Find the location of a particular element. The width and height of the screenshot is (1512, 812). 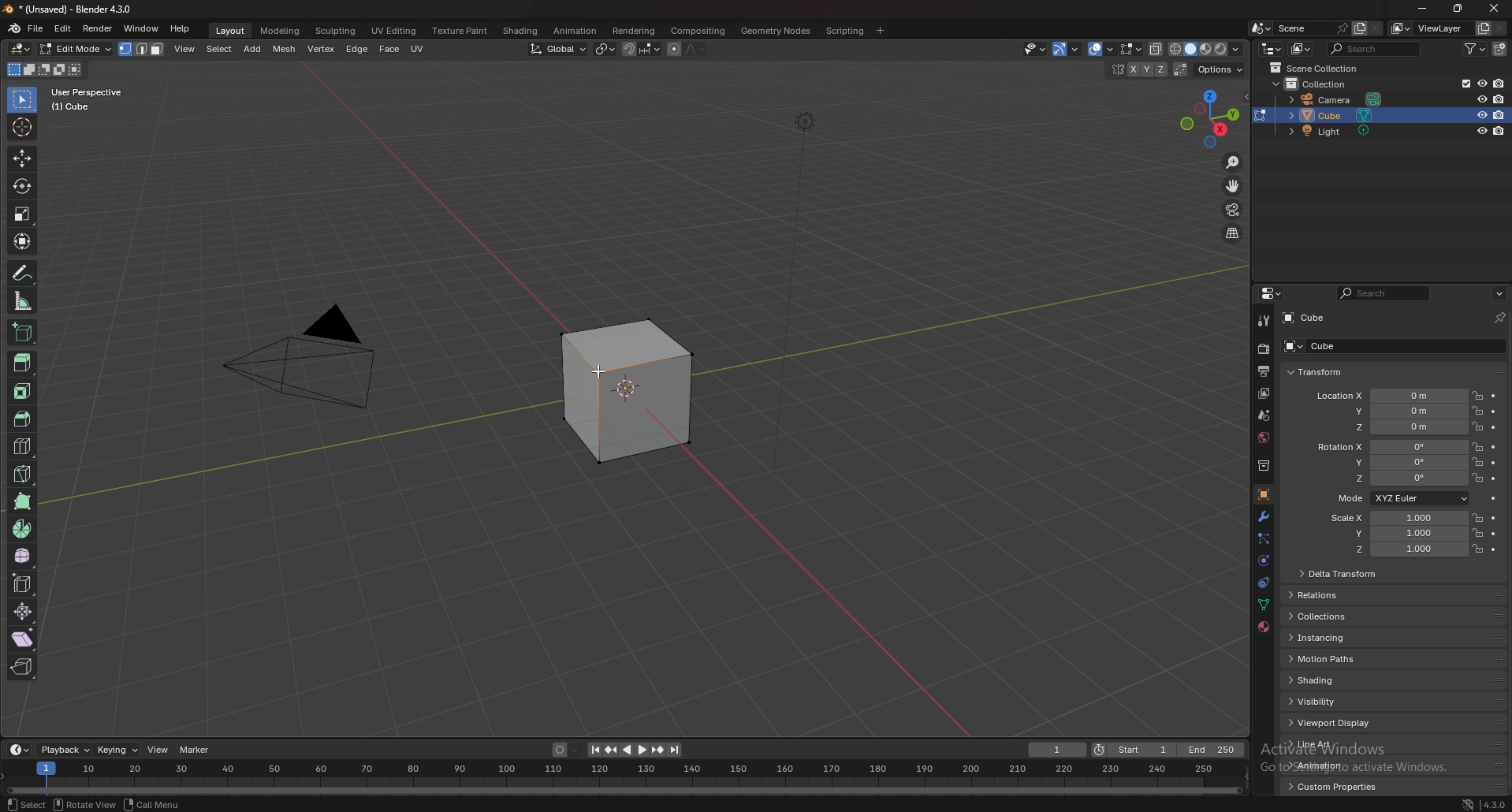

collection is located at coordinates (1320, 84).